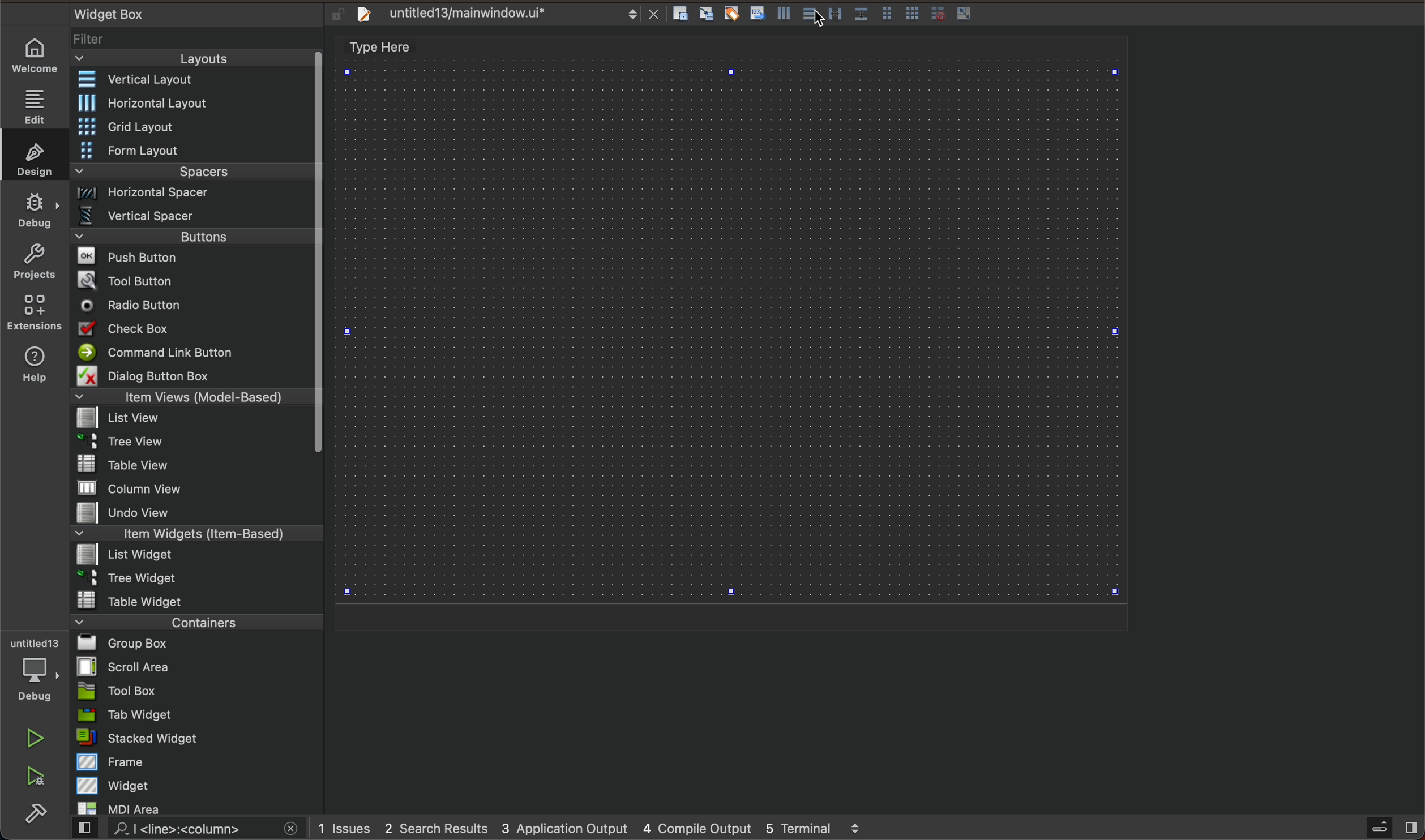 This screenshot has width=1425, height=840. What do you see at coordinates (192, 172) in the screenshot?
I see `spacers` at bounding box center [192, 172].